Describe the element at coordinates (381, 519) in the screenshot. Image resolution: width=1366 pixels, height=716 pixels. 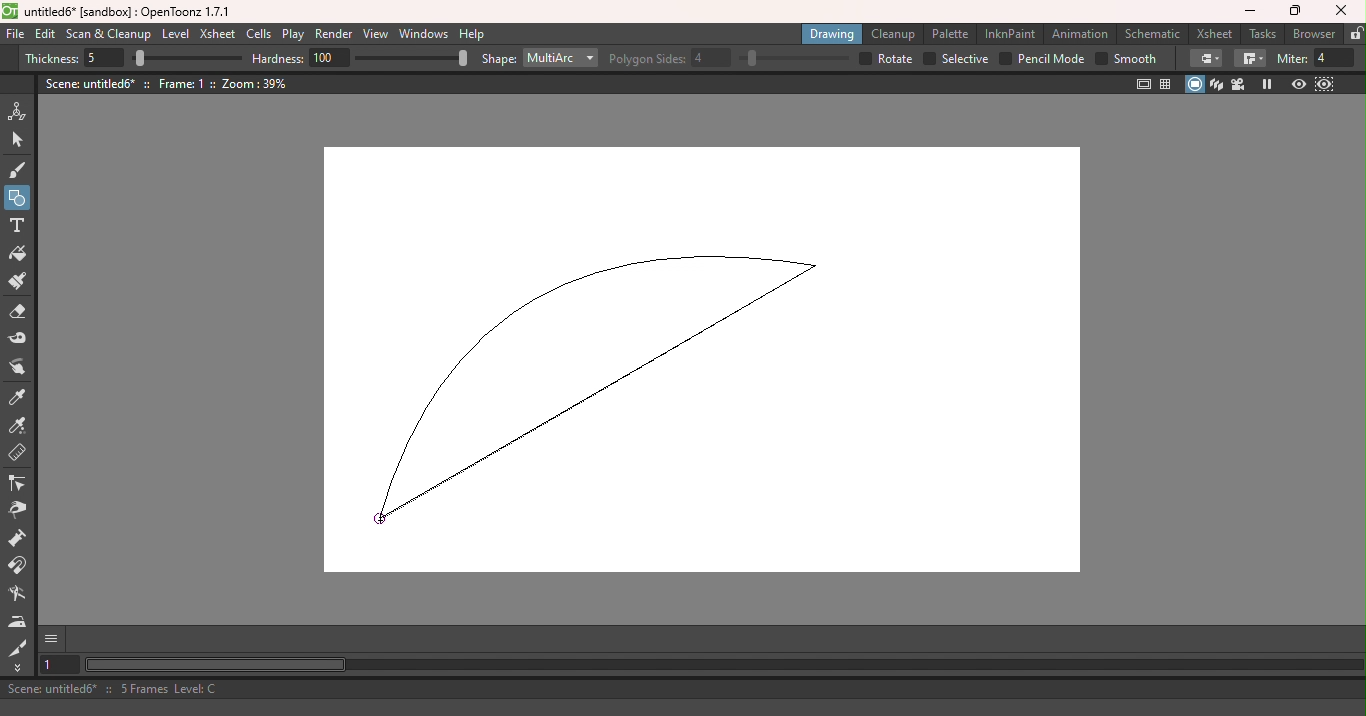
I see `Cursor` at that location.